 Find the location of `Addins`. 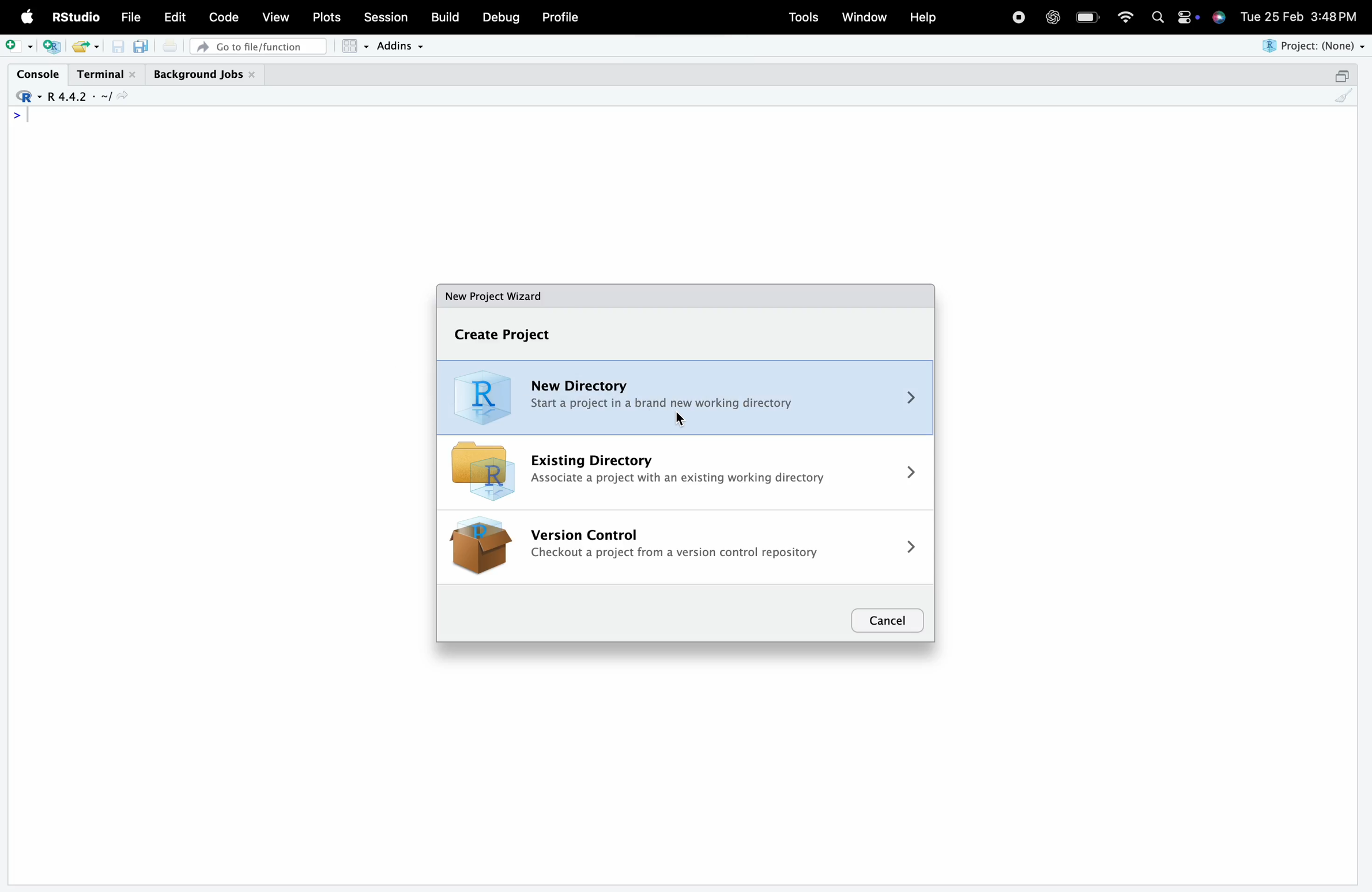

Addins is located at coordinates (399, 46).